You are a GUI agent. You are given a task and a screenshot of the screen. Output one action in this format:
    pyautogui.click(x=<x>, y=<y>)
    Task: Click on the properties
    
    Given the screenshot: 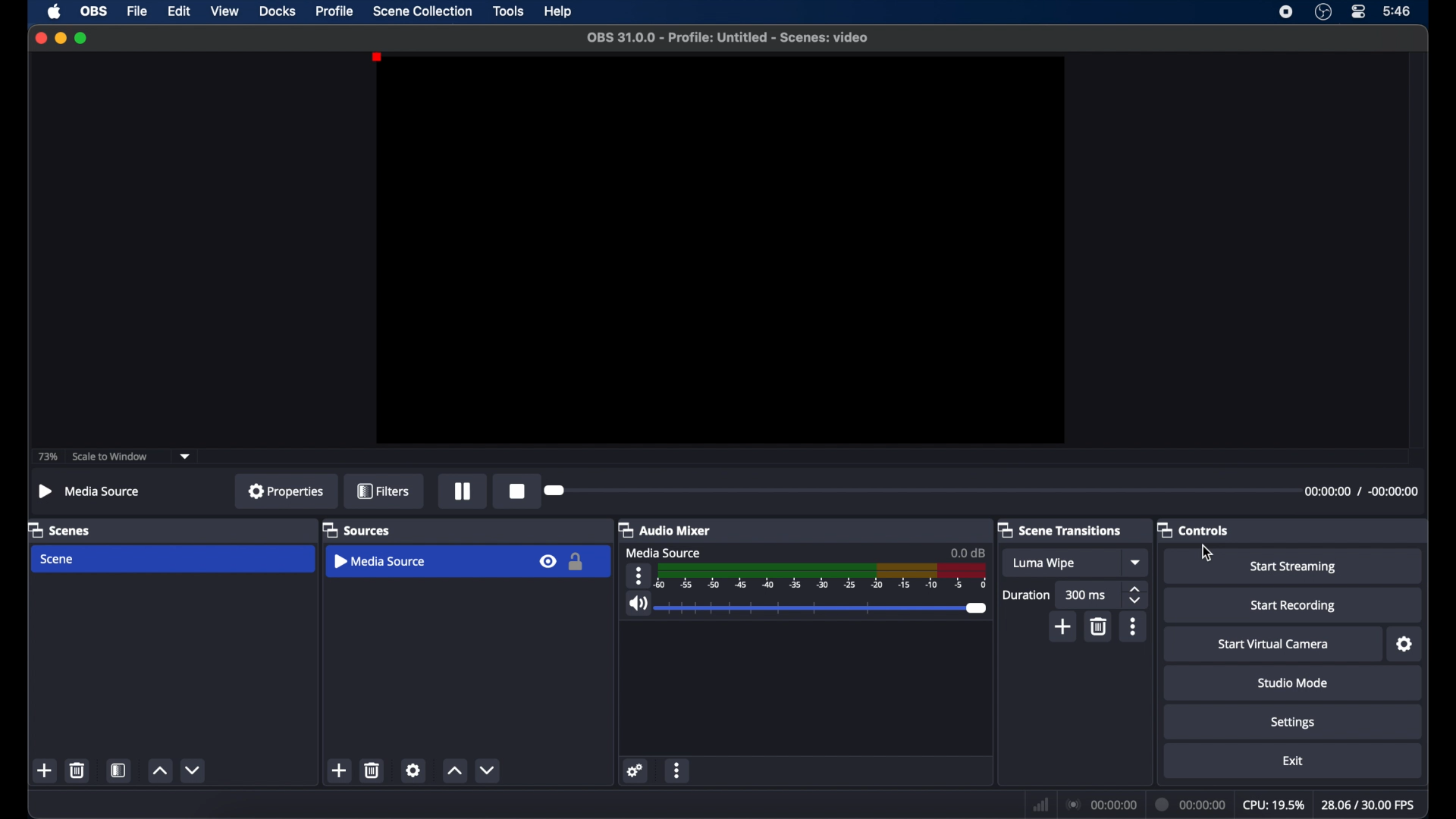 What is the action you would take?
    pyautogui.click(x=287, y=491)
    